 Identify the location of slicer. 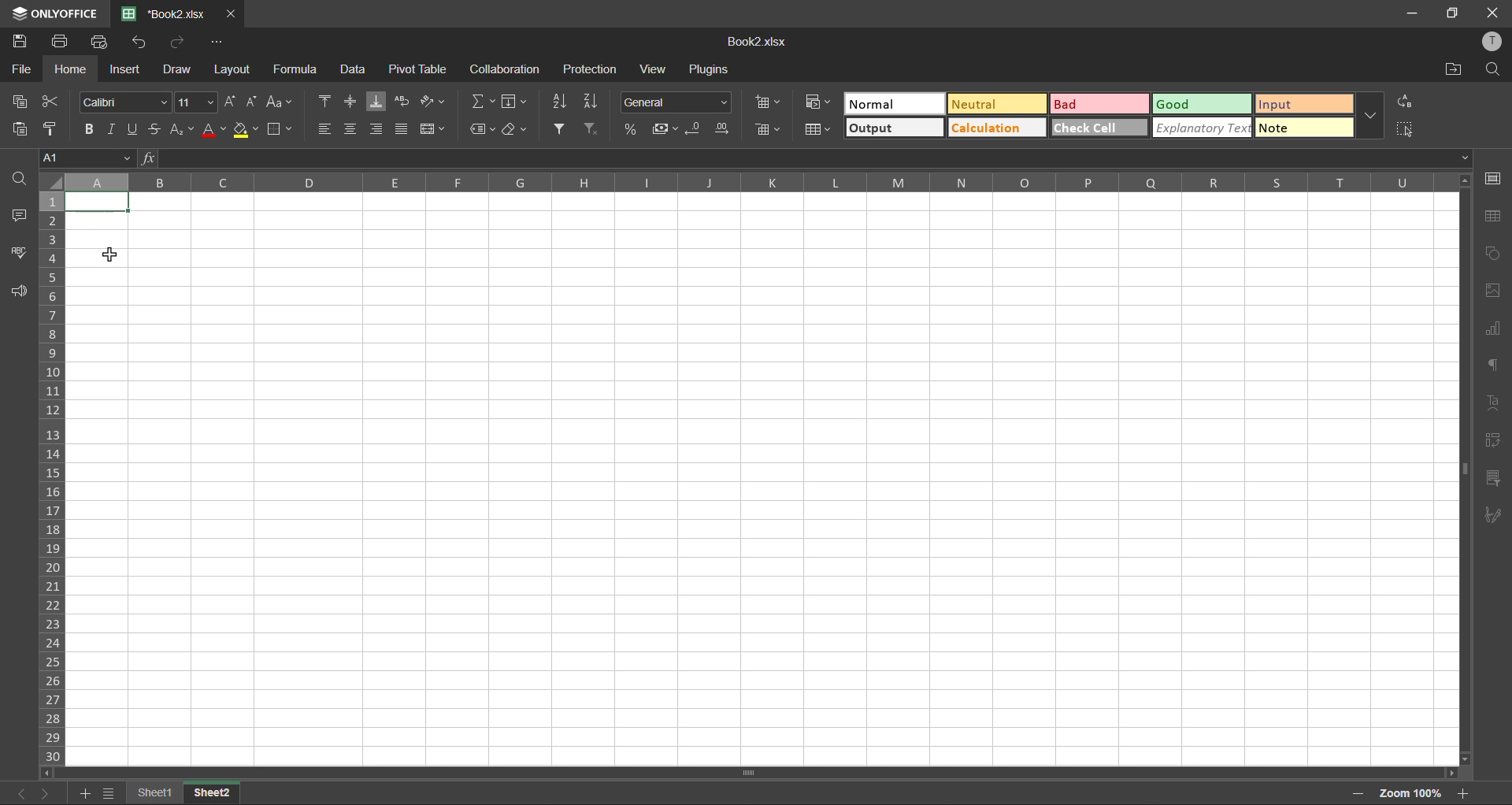
(1492, 478).